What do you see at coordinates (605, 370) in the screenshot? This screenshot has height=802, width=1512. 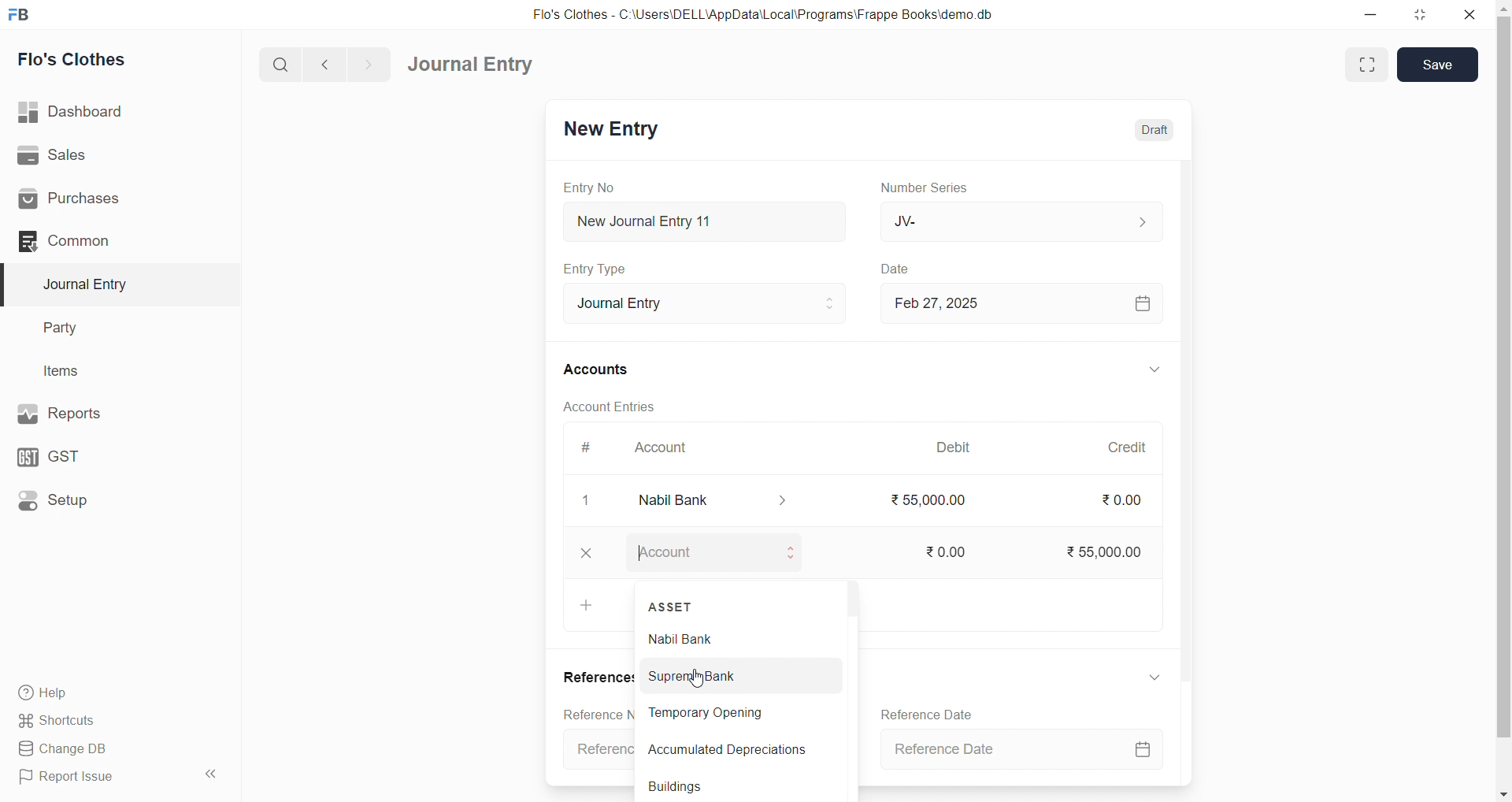 I see `Accounts` at bounding box center [605, 370].